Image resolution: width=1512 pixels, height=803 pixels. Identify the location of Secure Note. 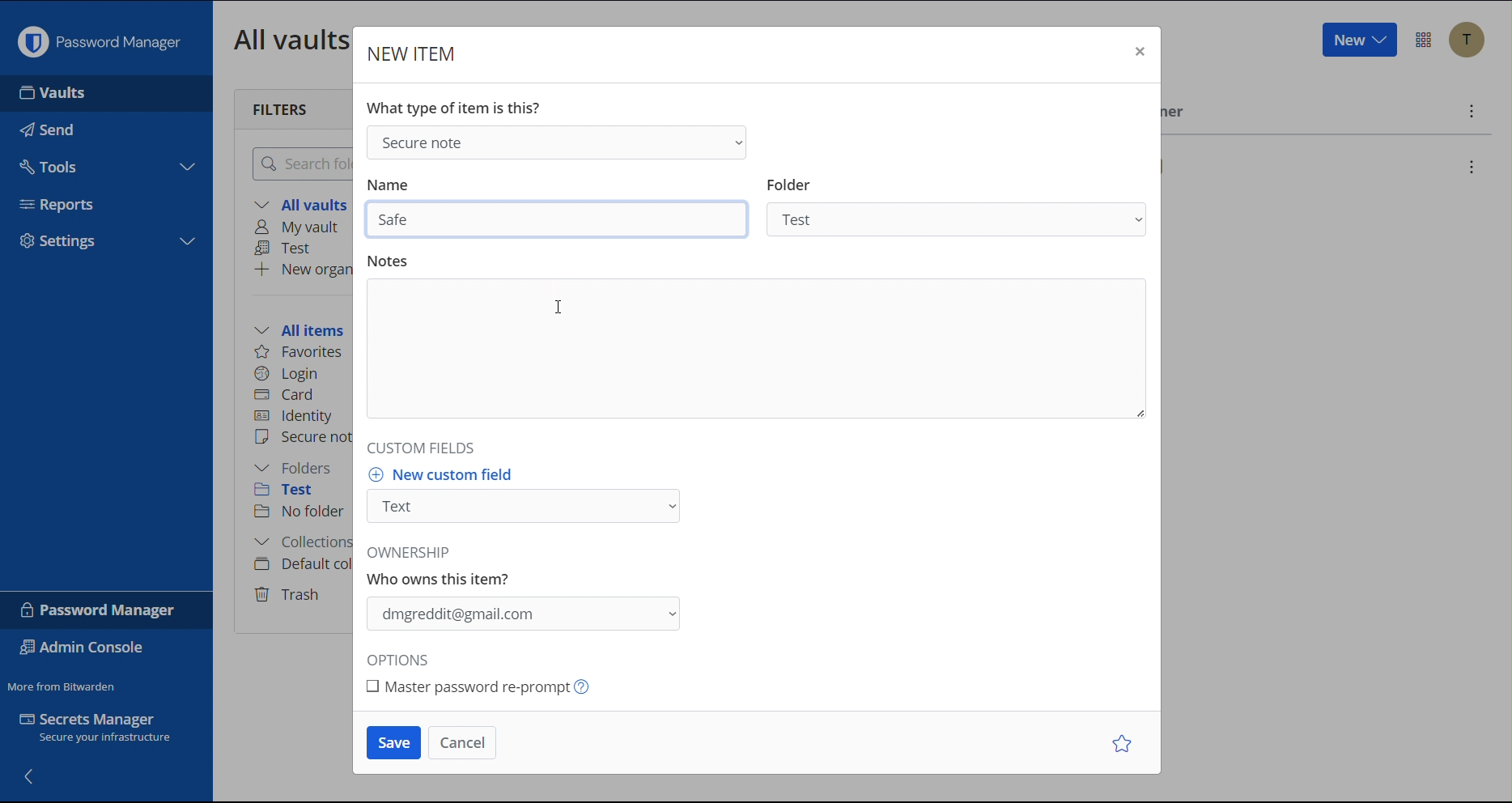
(554, 141).